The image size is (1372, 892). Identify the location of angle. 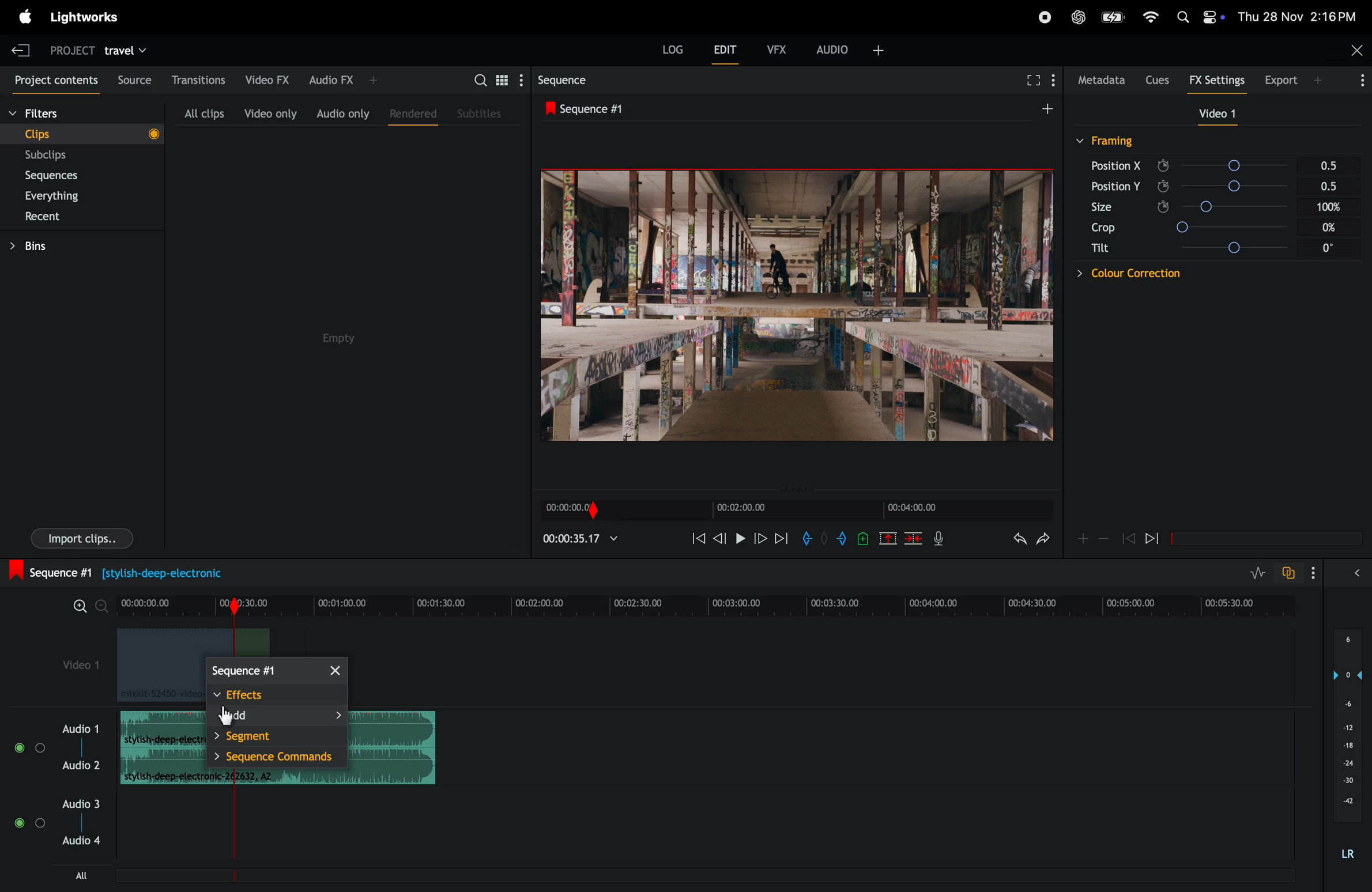
(1247, 165).